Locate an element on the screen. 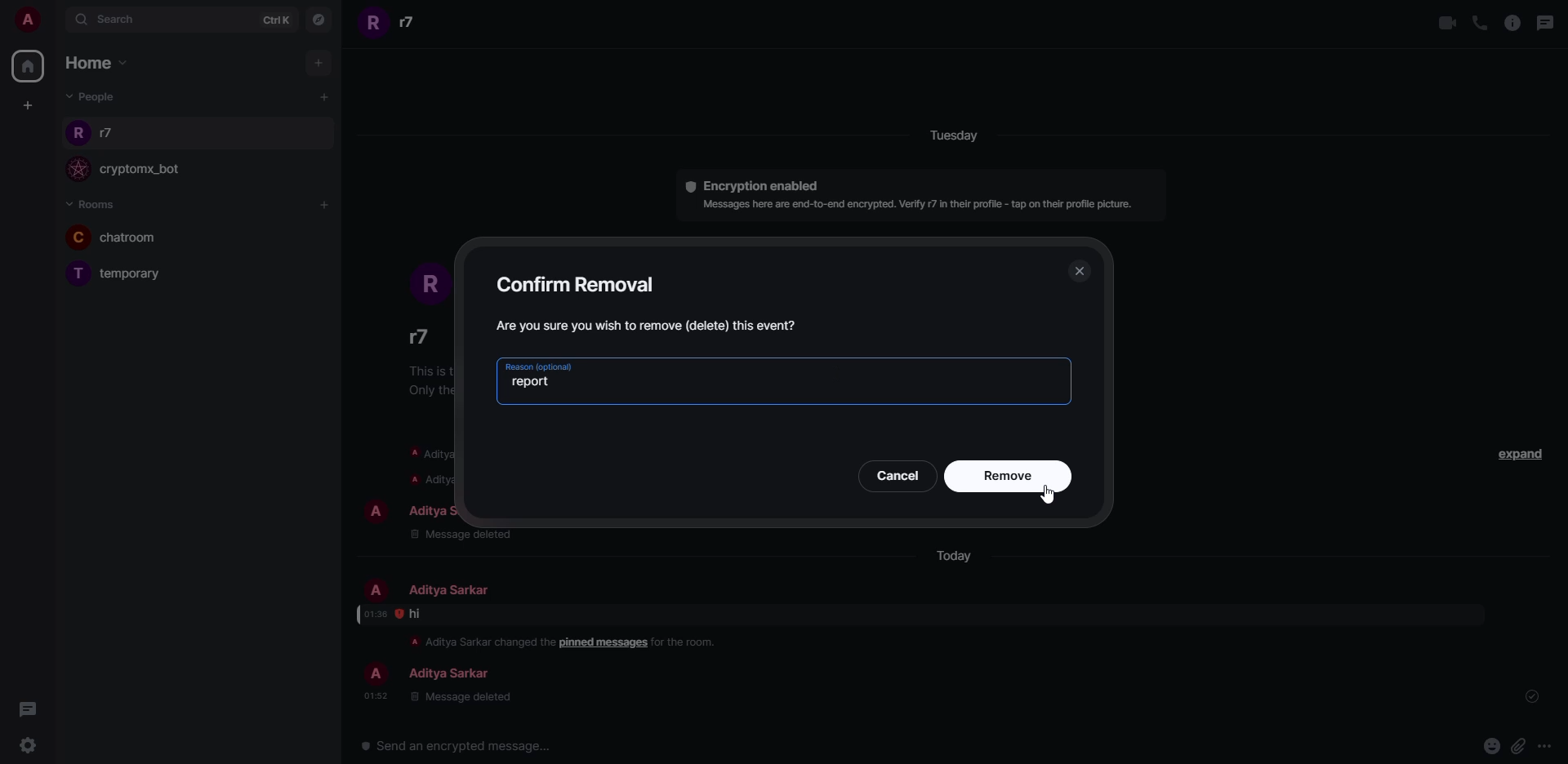  more is located at coordinates (1544, 747).